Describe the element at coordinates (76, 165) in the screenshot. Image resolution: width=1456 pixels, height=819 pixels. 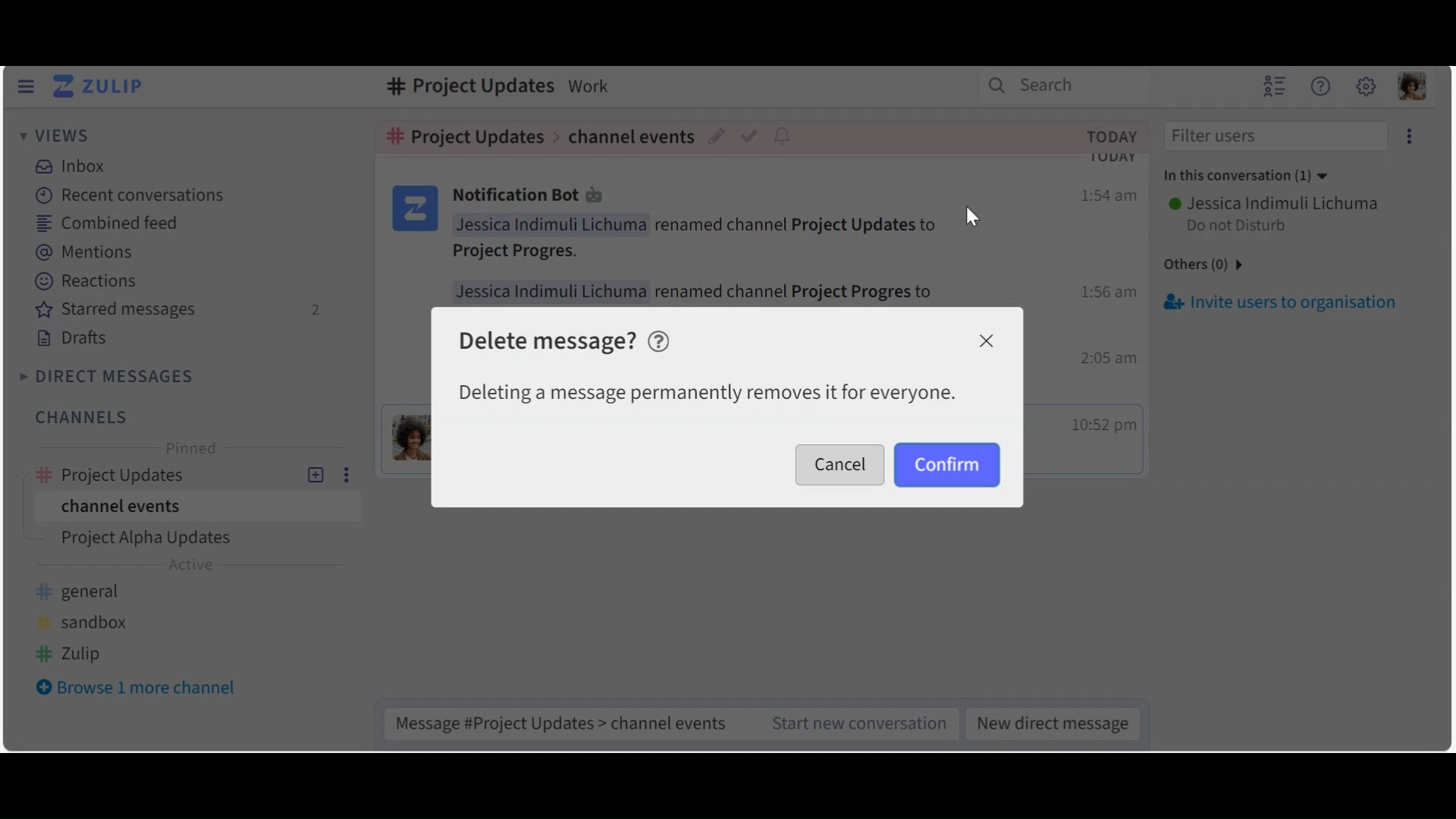
I see `Inbox` at that location.